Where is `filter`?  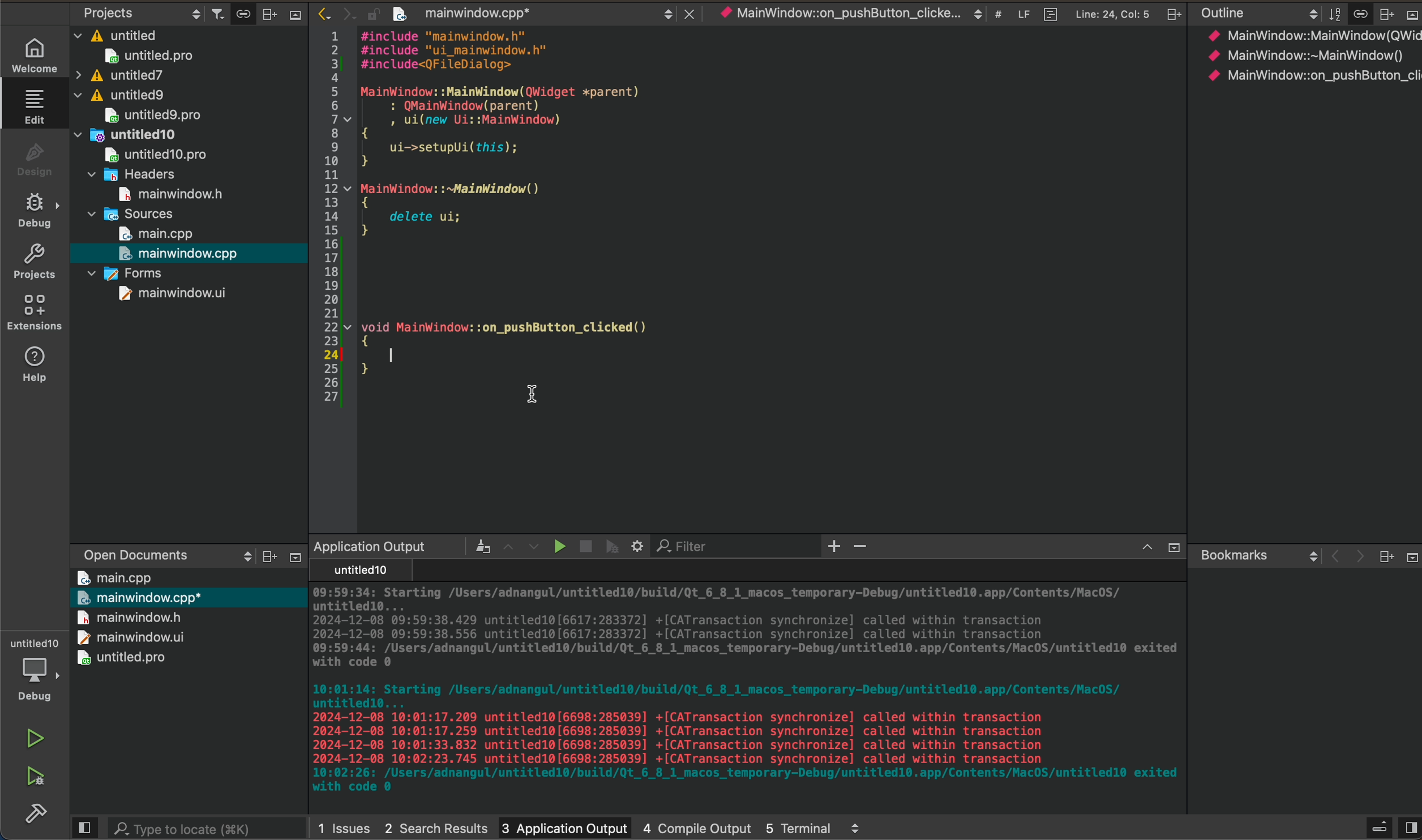
filter is located at coordinates (1332, 13).